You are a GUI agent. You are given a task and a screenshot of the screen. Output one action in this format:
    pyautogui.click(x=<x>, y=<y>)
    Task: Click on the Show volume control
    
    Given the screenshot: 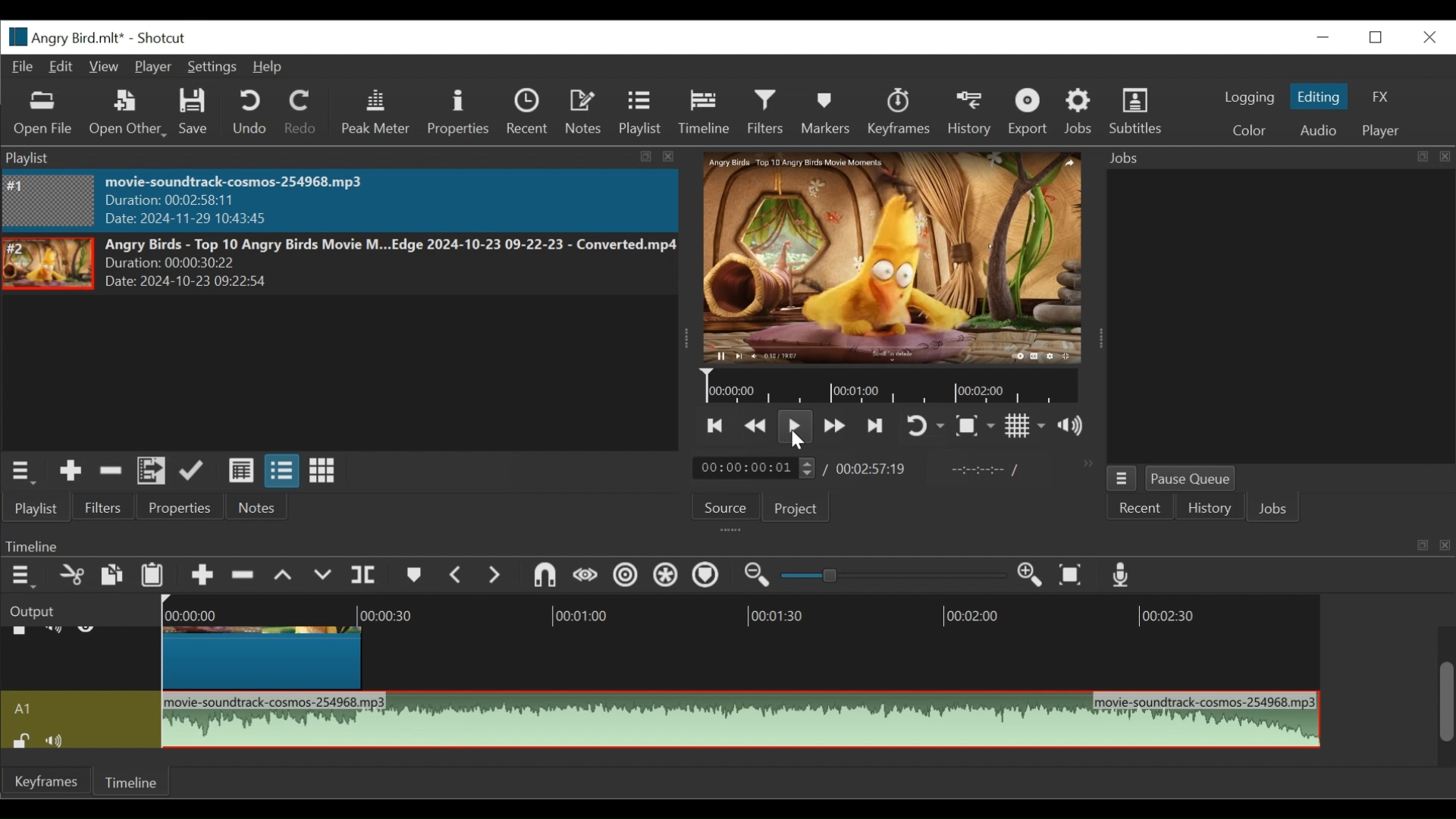 What is the action you would take?
    pyautogui.click(x=1075, y=428)
    